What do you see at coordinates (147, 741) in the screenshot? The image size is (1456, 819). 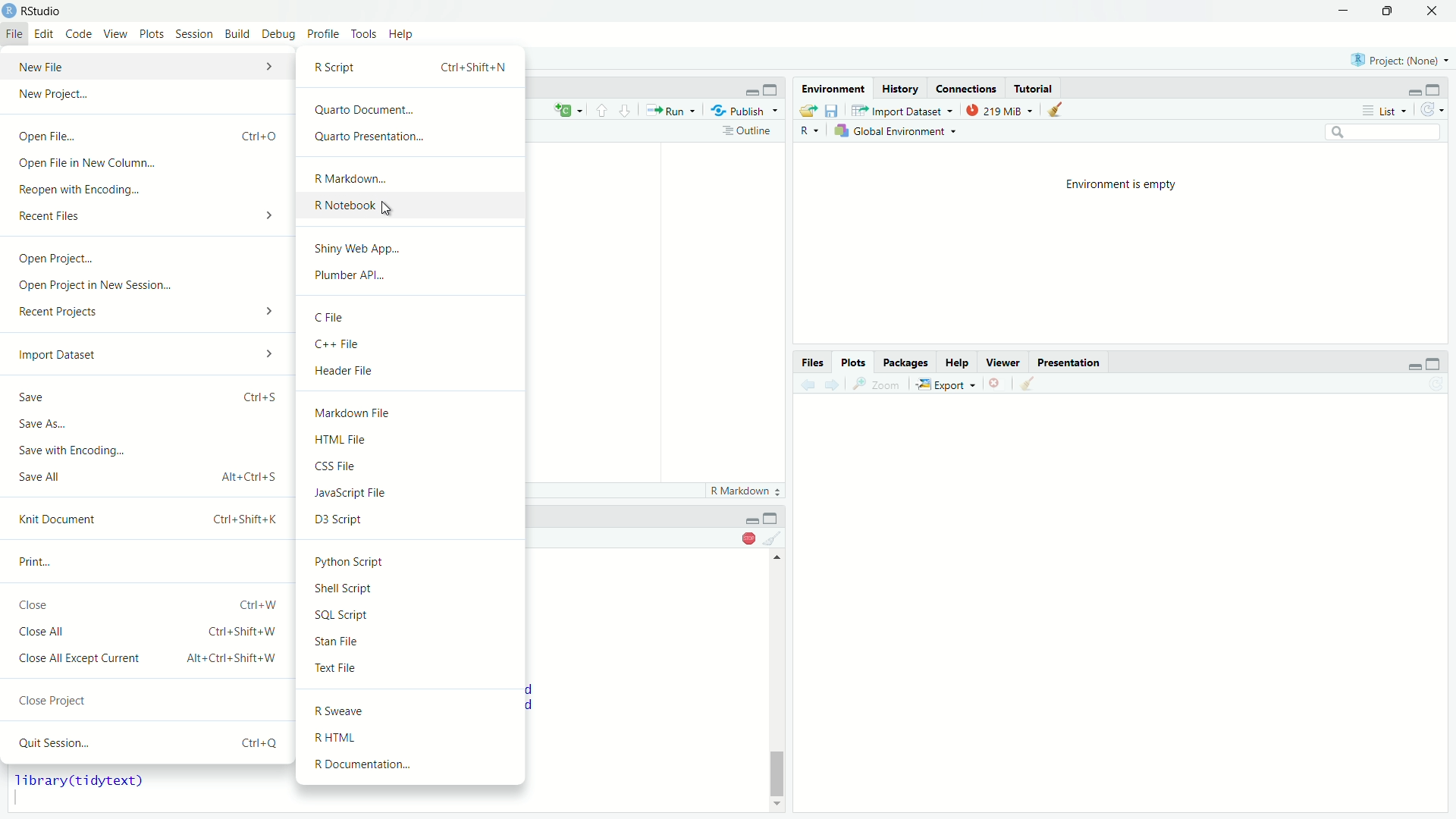 I see `Quit Session...` at bounding box center [147, 741].